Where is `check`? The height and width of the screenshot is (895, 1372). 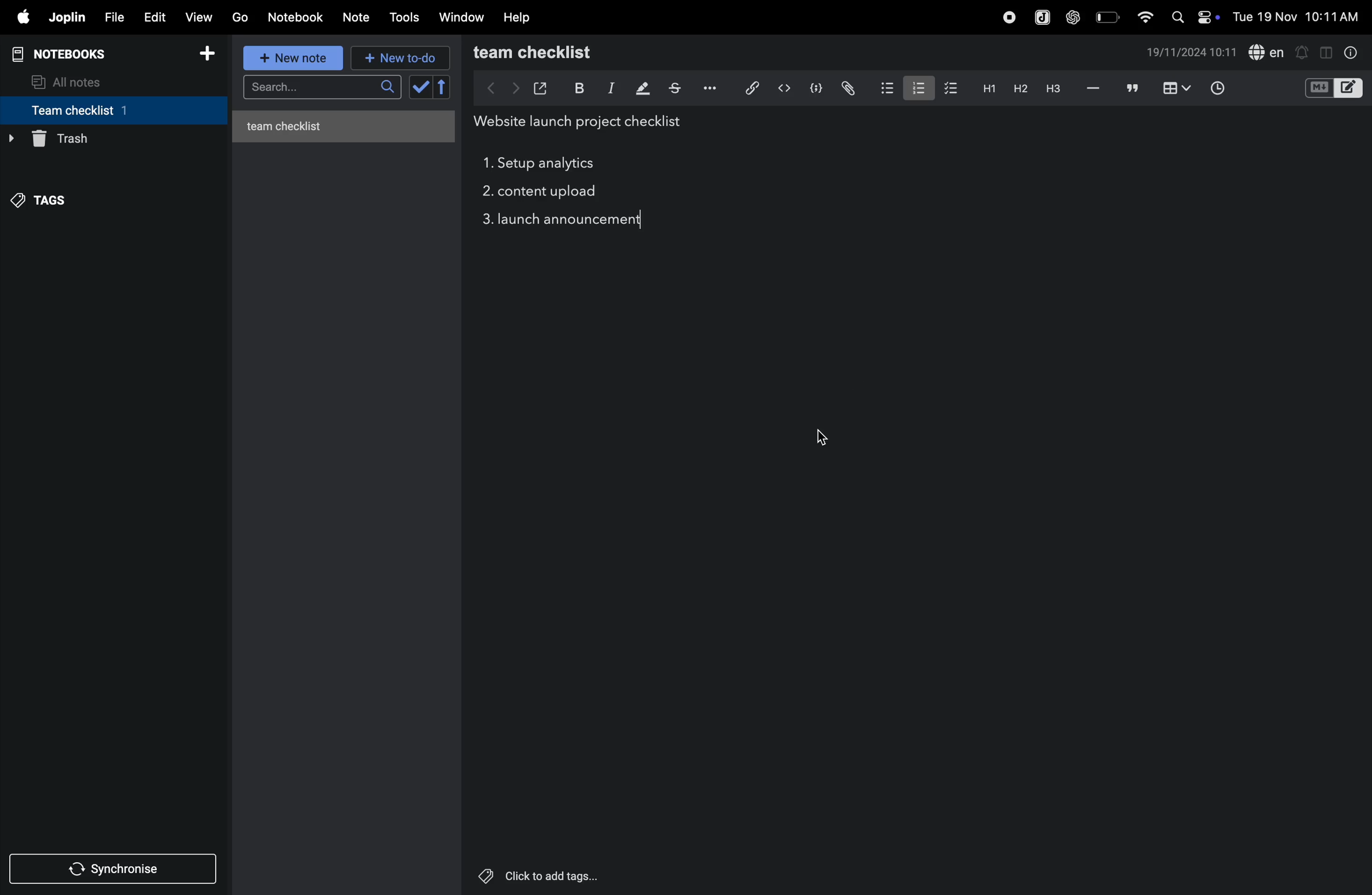 check is located at coordinates (431, 88).